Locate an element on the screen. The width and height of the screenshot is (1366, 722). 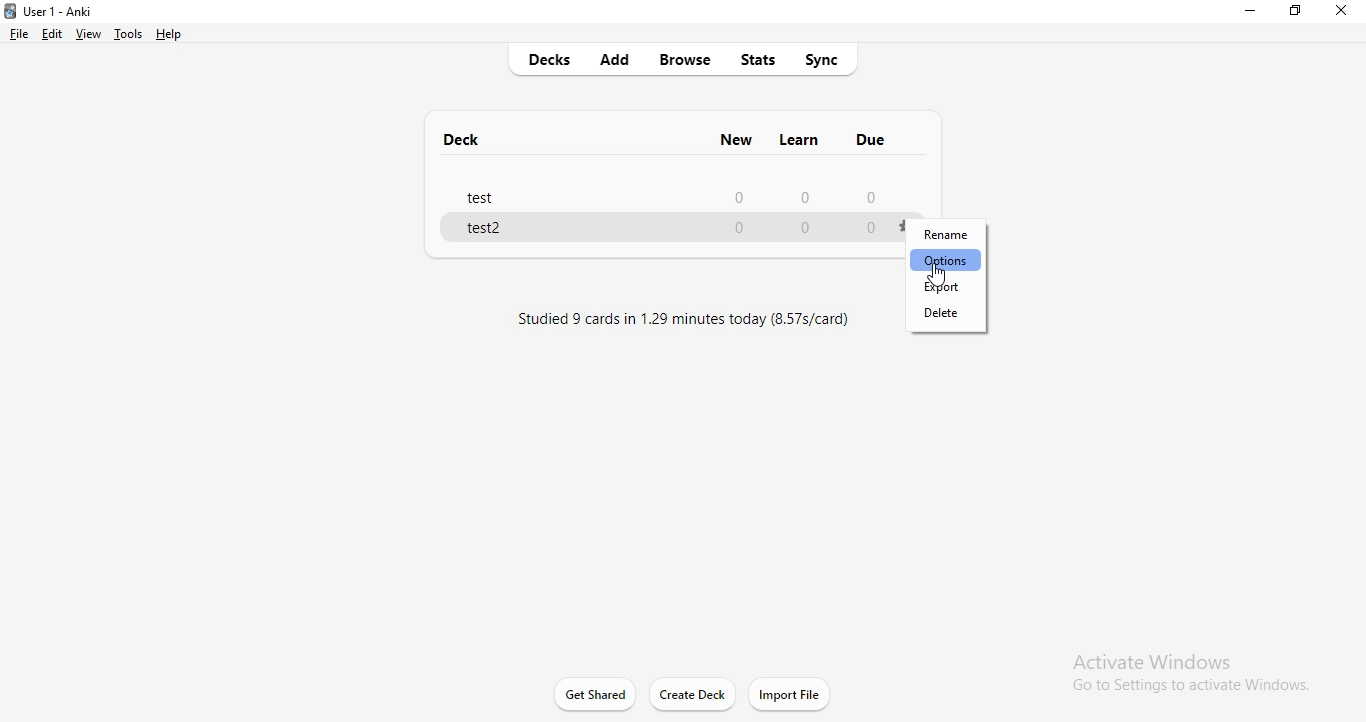
view is located at coordinates (89, 34).